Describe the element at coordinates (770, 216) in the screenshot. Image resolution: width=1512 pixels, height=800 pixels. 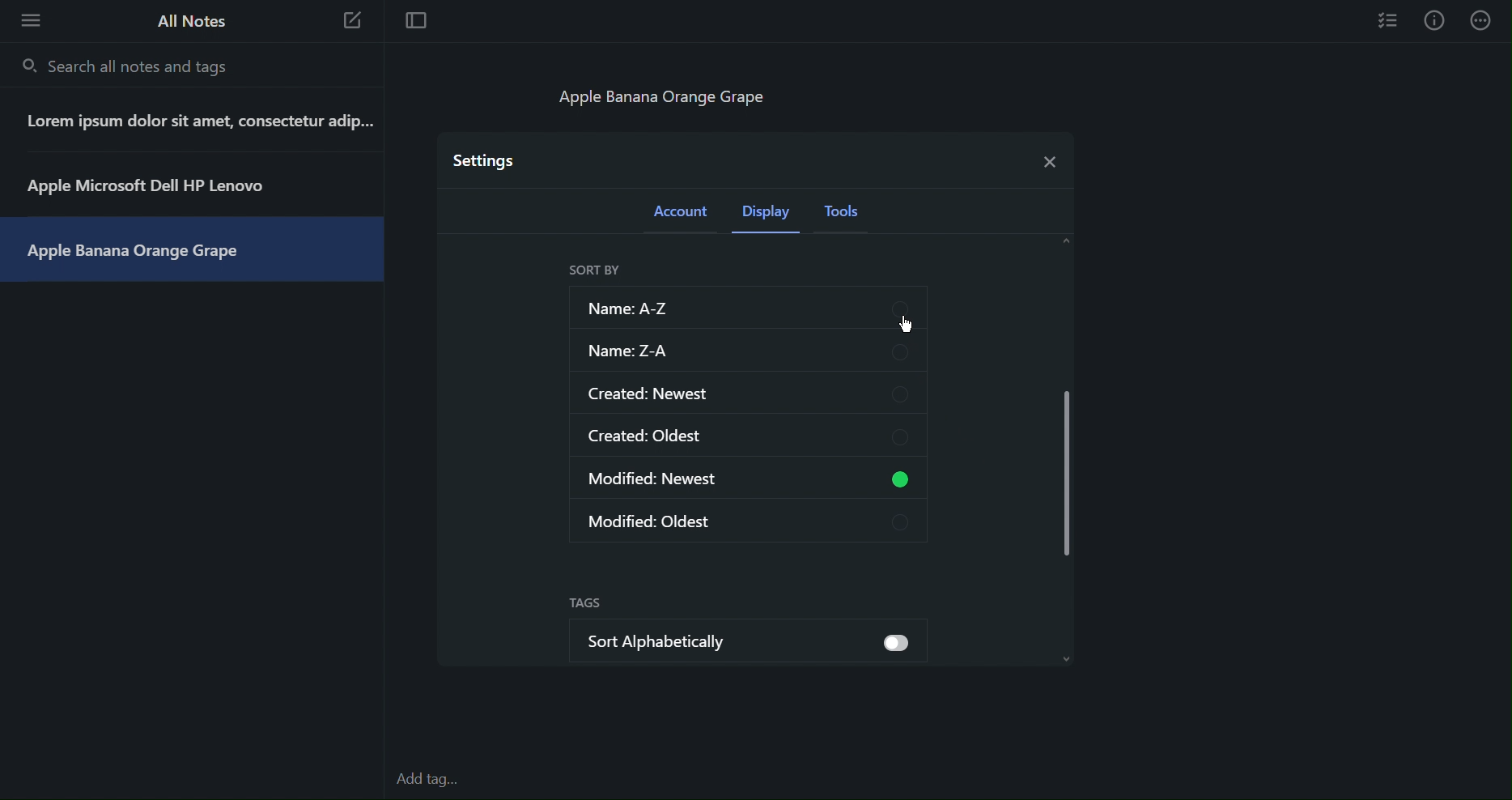
I see `Display` at that location.